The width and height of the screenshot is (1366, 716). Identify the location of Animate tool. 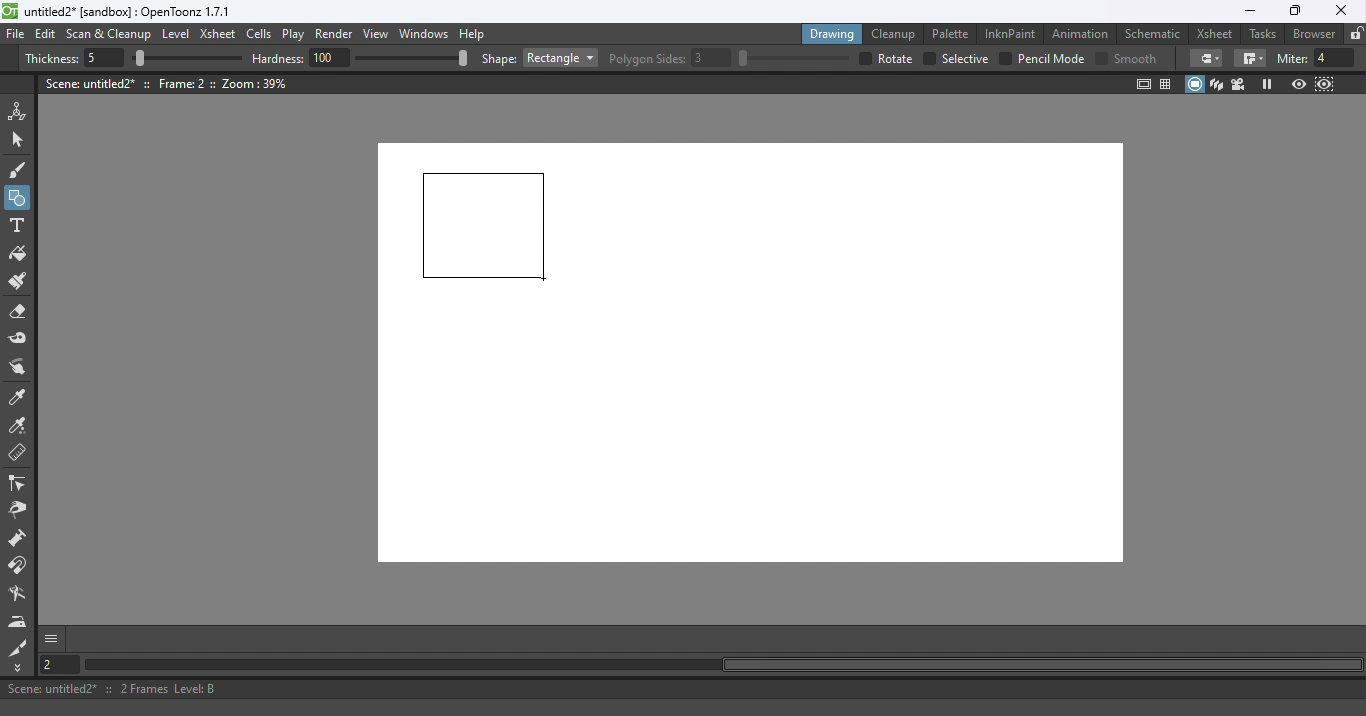
(21, 111).